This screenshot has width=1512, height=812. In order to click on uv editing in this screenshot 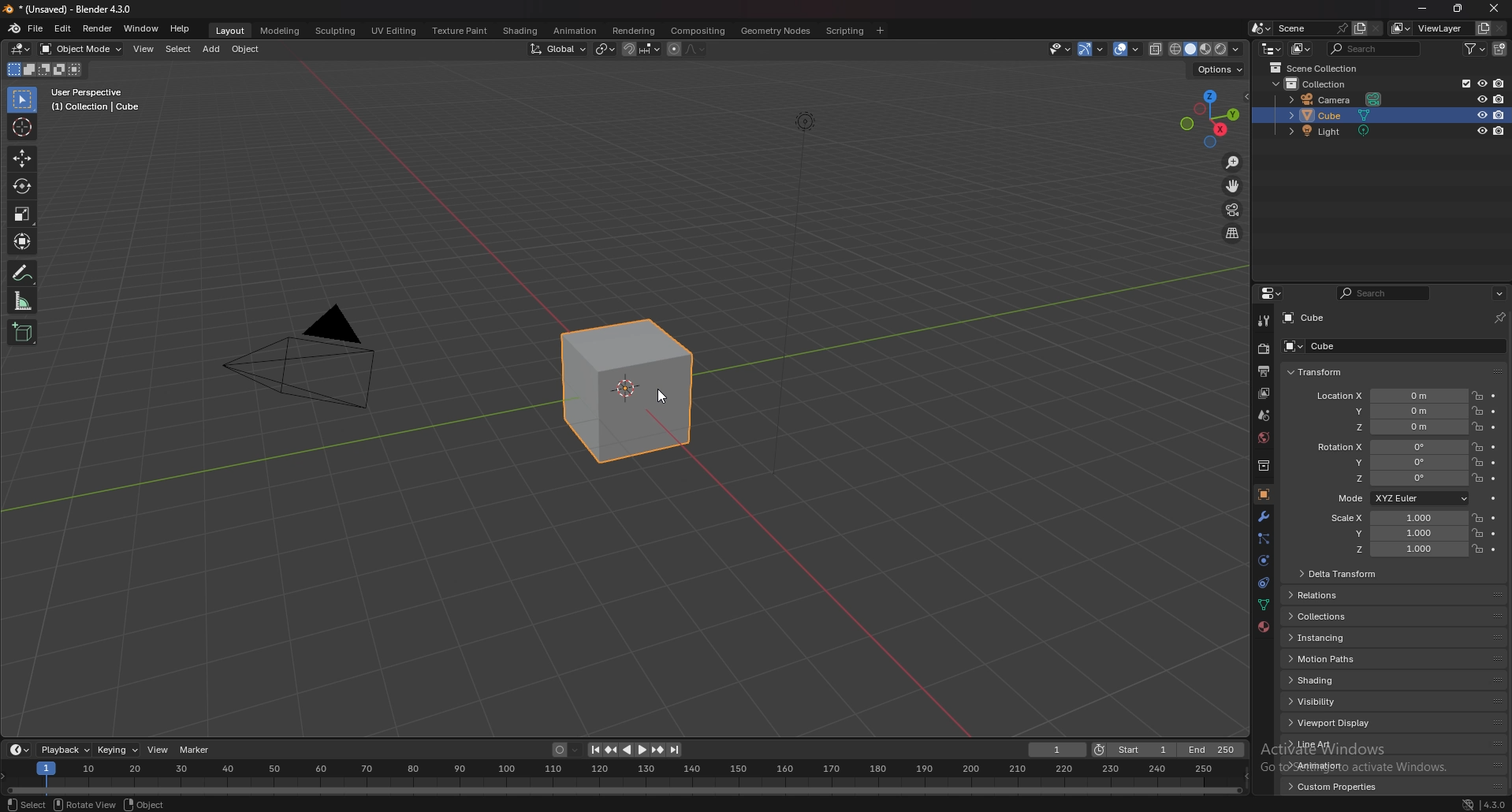, I will do `click(394, 31)`.